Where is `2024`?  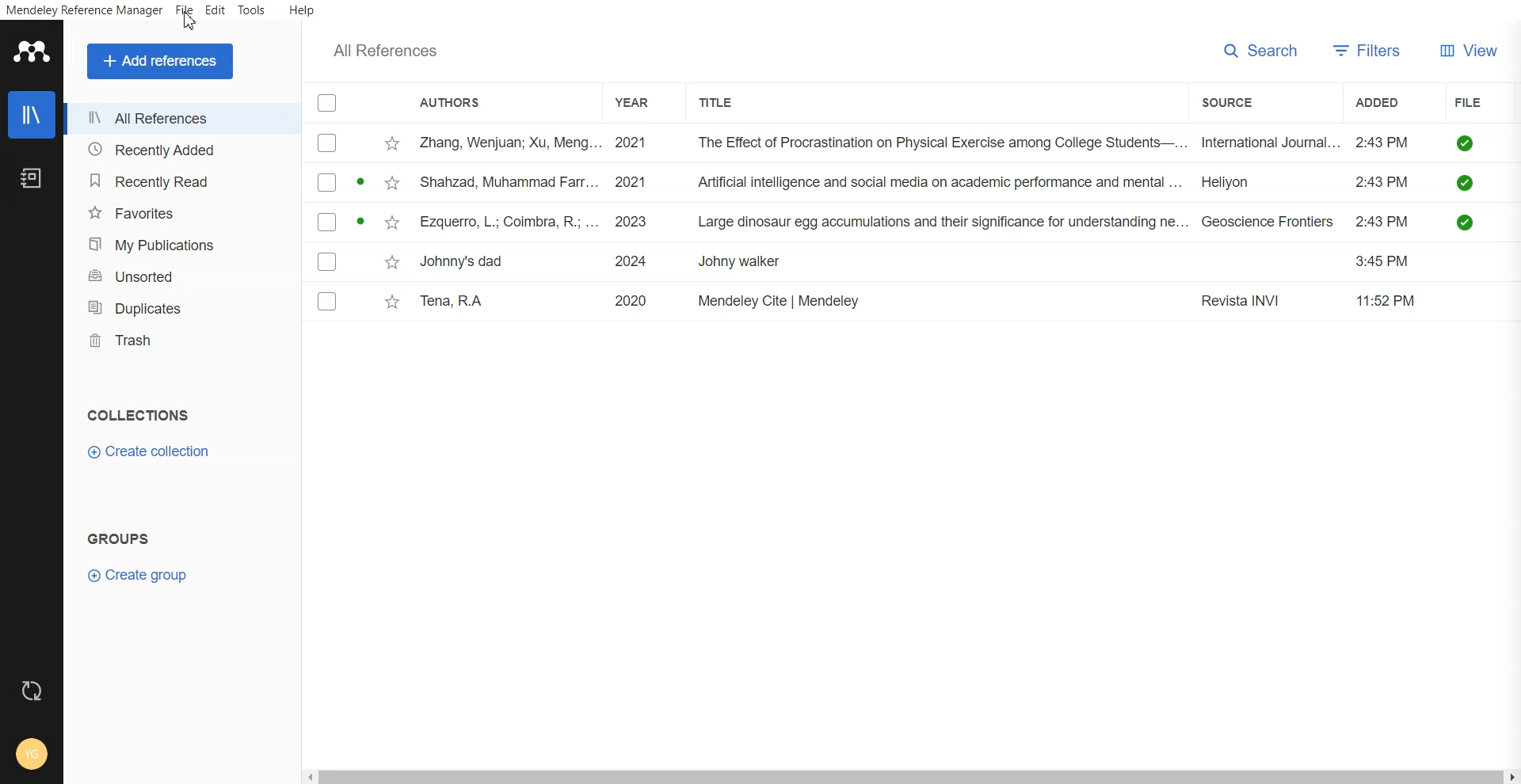
2024 is located at coordinates (634, 261).